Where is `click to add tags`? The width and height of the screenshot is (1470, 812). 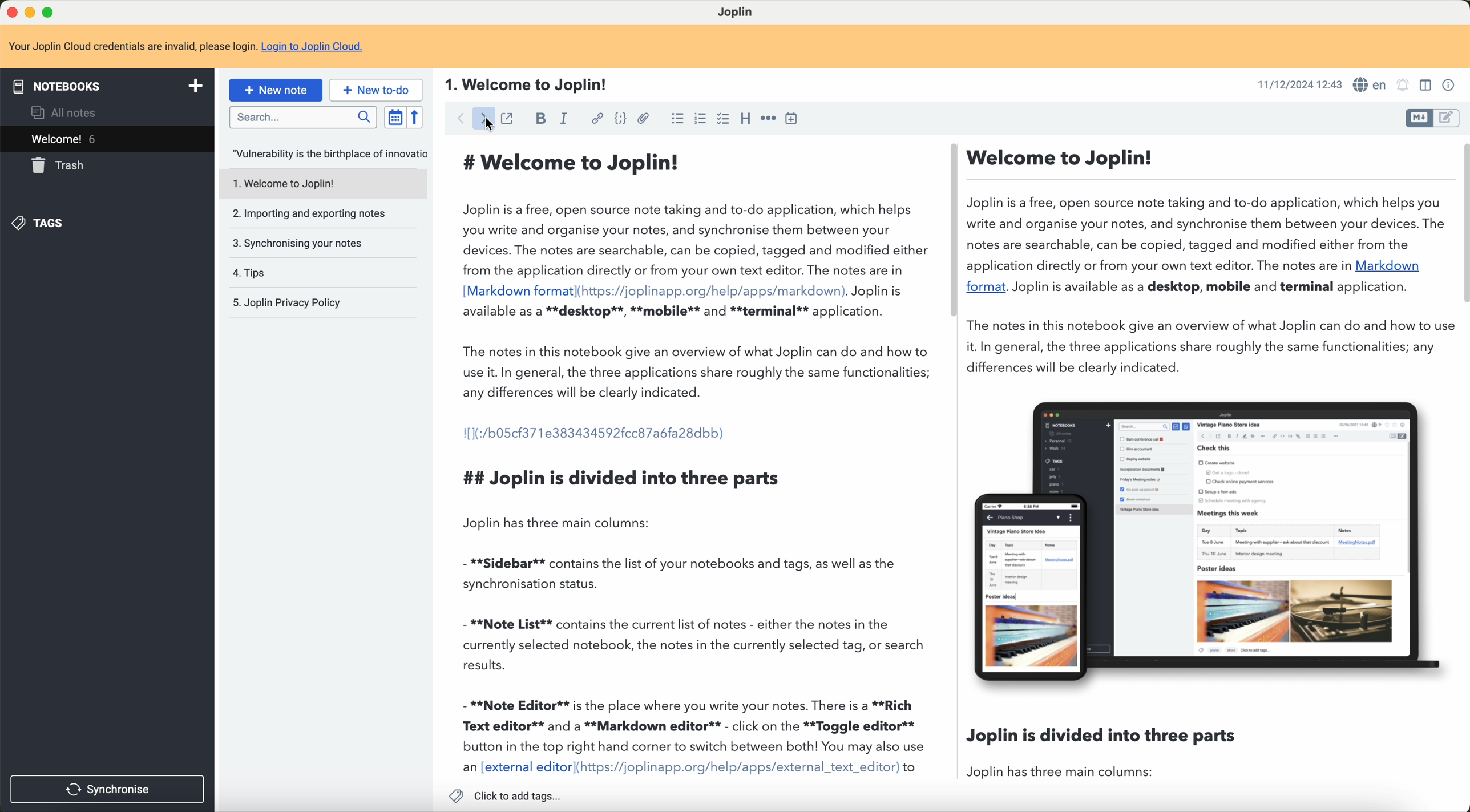 click to add tags is located at coordinates (507, 797).